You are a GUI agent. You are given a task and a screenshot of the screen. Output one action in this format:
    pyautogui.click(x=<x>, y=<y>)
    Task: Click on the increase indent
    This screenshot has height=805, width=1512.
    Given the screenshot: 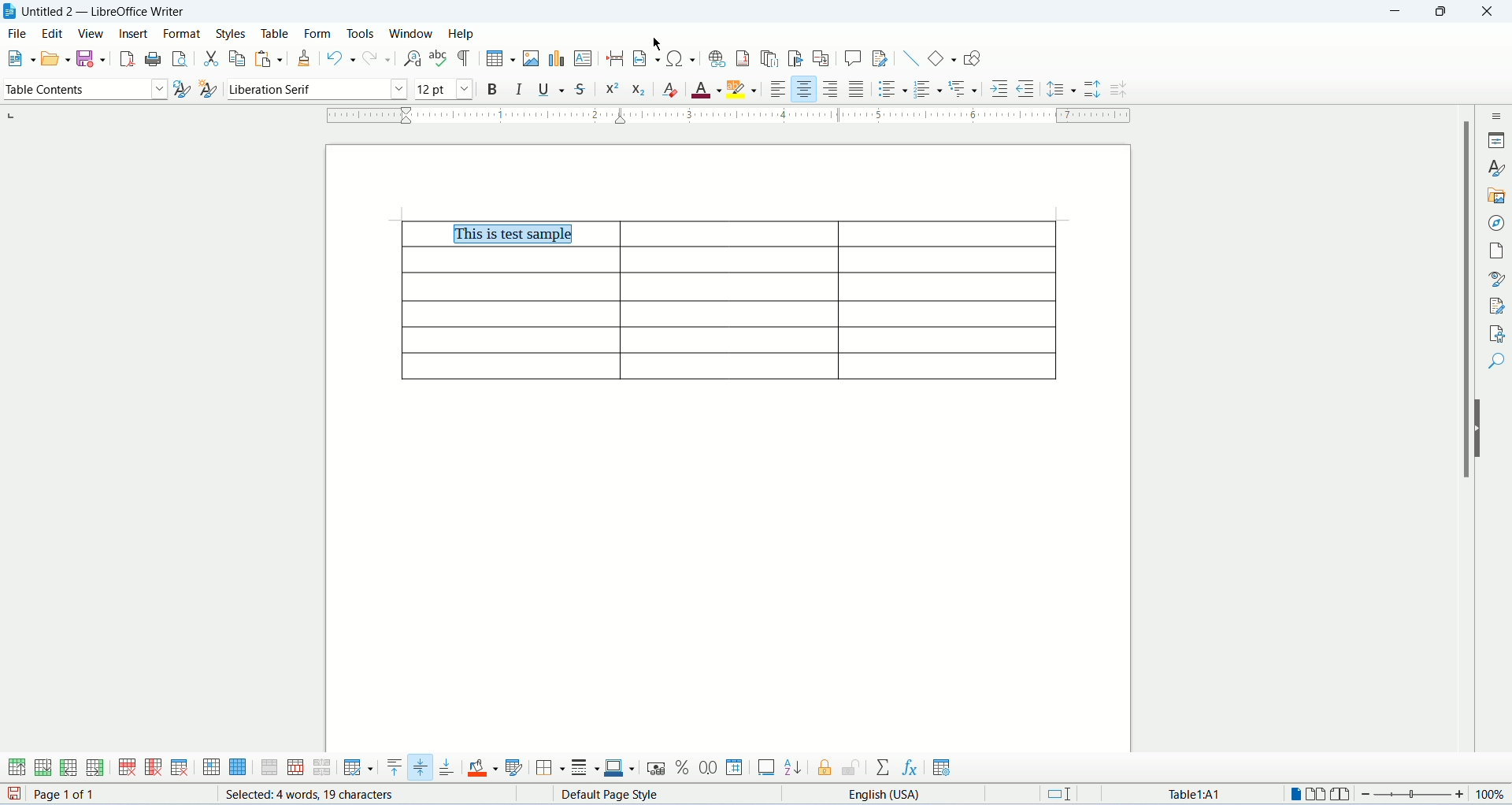 What is the action you would take?
    pyautogui.click(x=1000, y=88)
    